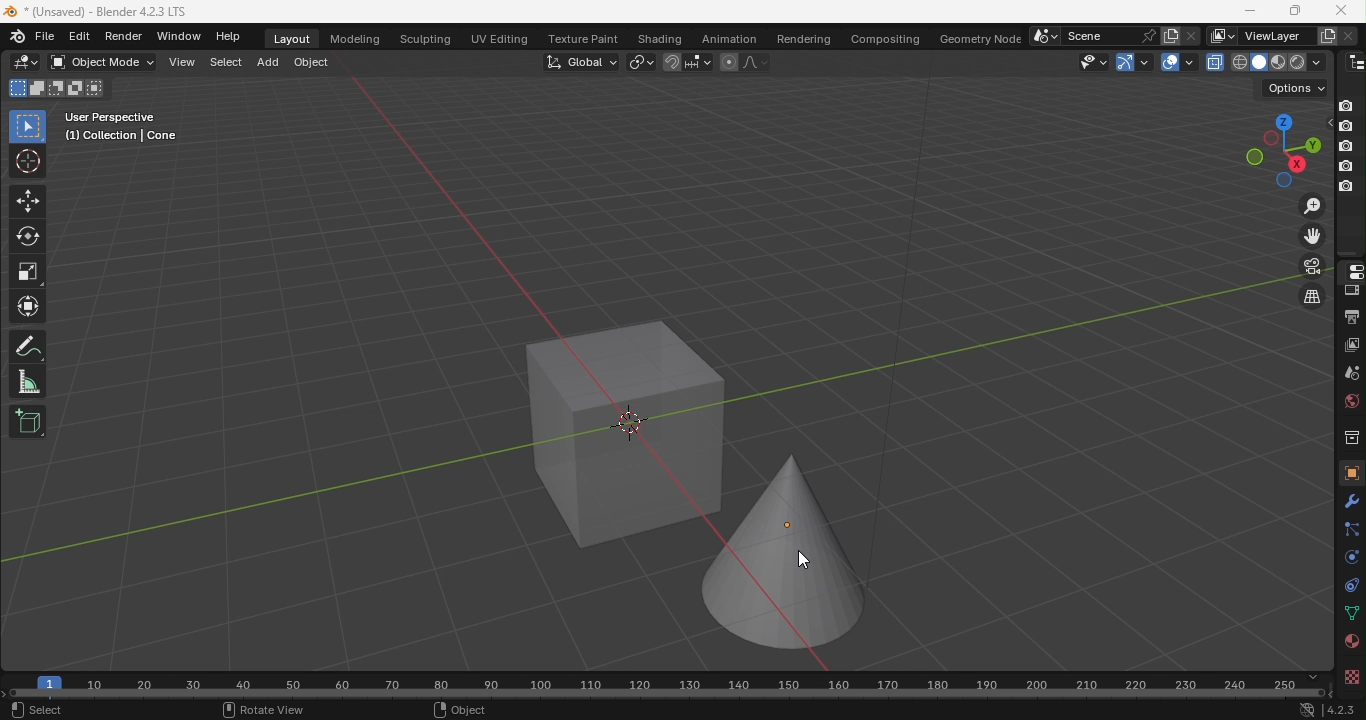 The image size is (1366, 720). Describe the element at coordinates (1342, 711) in the screenshot. I see `Version` at that location.